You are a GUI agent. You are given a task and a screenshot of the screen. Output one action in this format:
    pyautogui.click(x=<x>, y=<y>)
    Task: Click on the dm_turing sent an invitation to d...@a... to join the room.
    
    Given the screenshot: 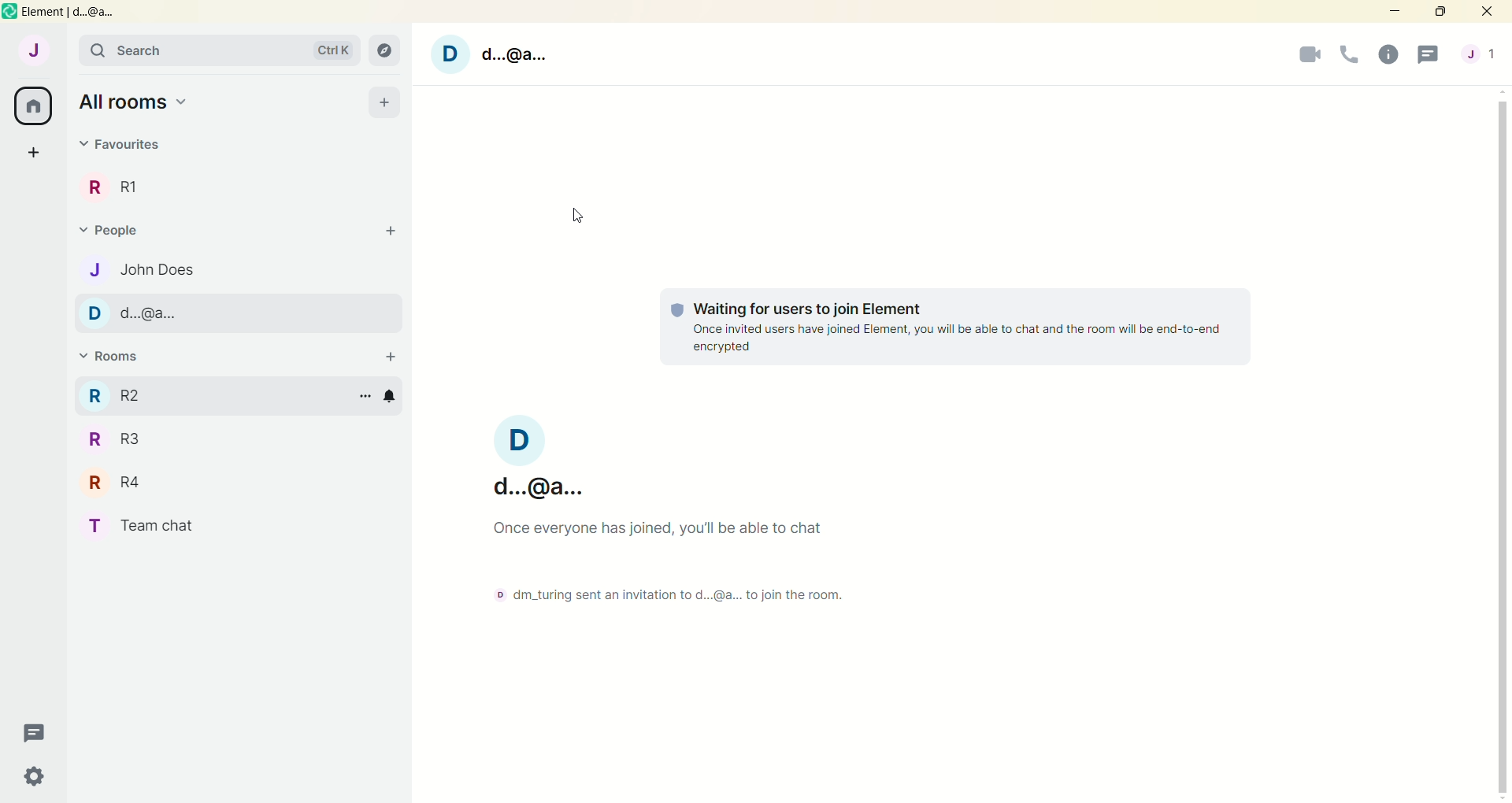 What is the action you would take?
    pyautogui.click(x=652, y=594)
    